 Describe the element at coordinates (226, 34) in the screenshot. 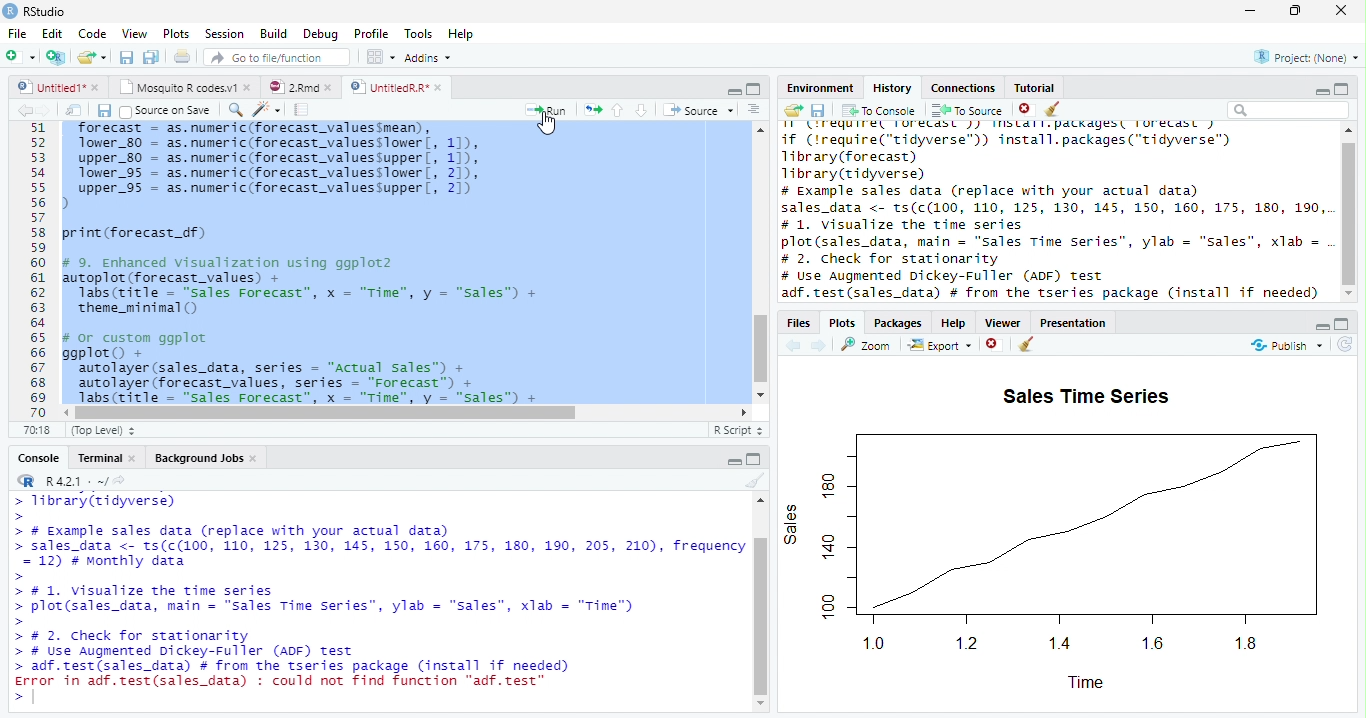

I see `Session` at that location.